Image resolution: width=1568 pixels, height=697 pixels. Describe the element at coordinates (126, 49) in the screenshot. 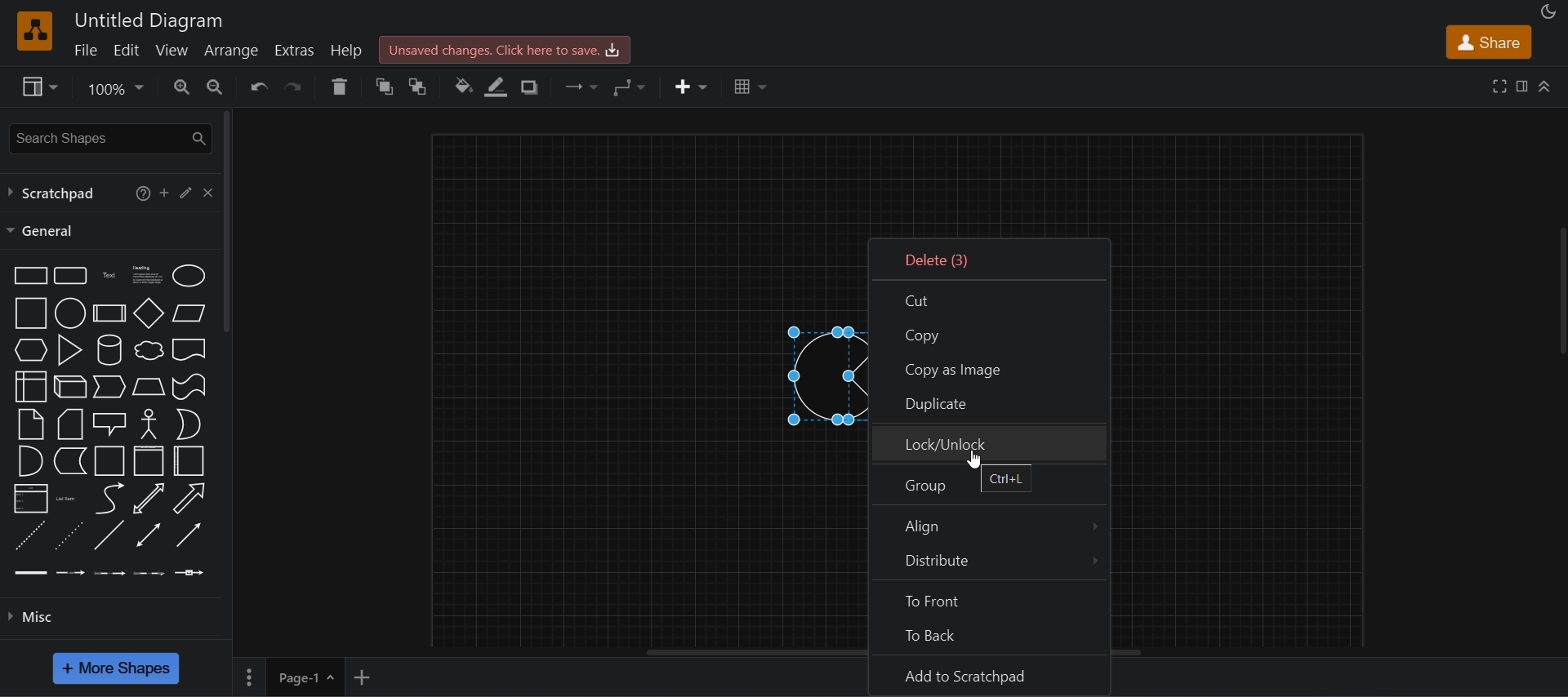

I see `edit` at that location.